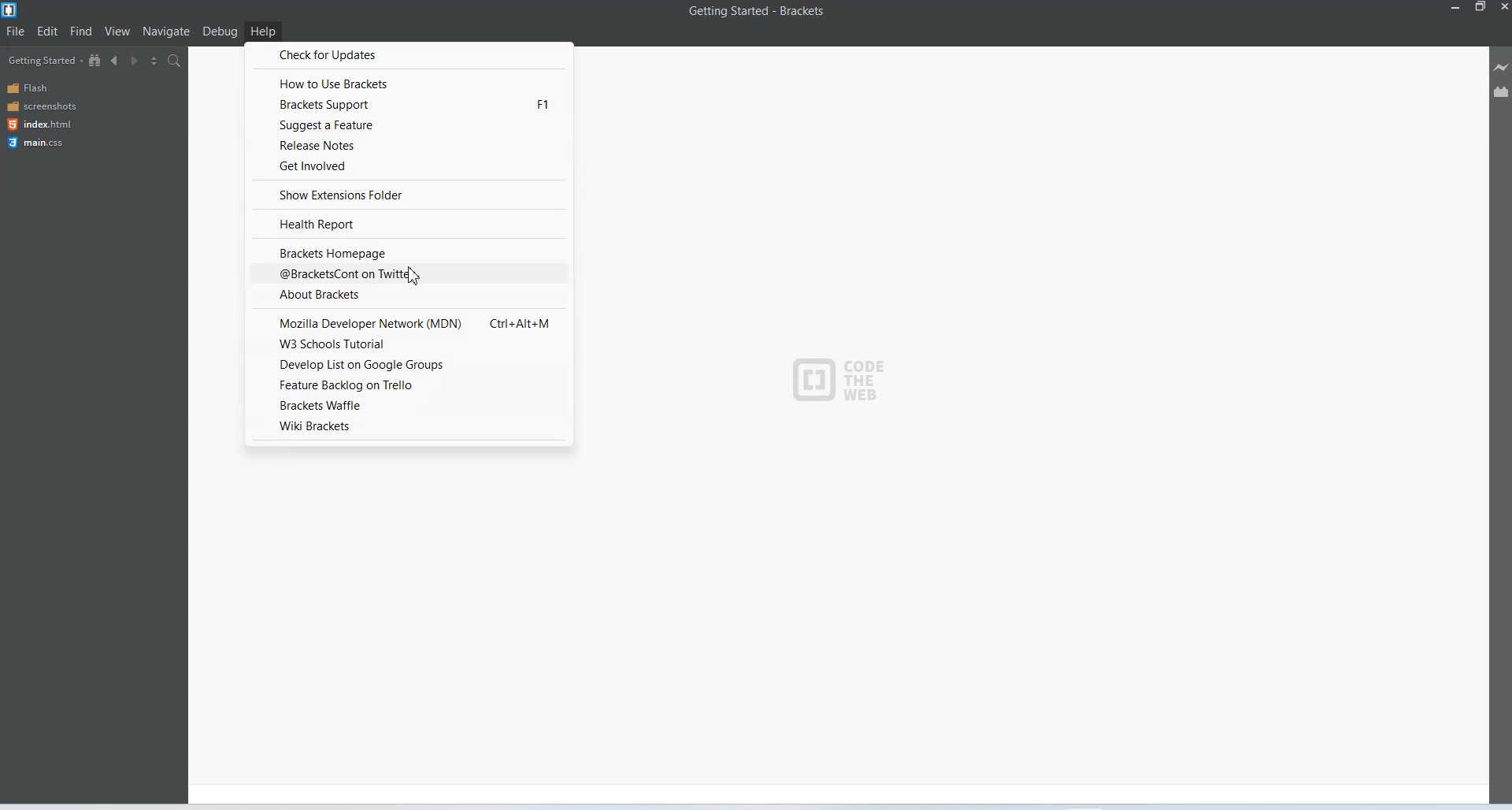 The image size is (1512, 810). I want to click on Debug, so click(220, 32).